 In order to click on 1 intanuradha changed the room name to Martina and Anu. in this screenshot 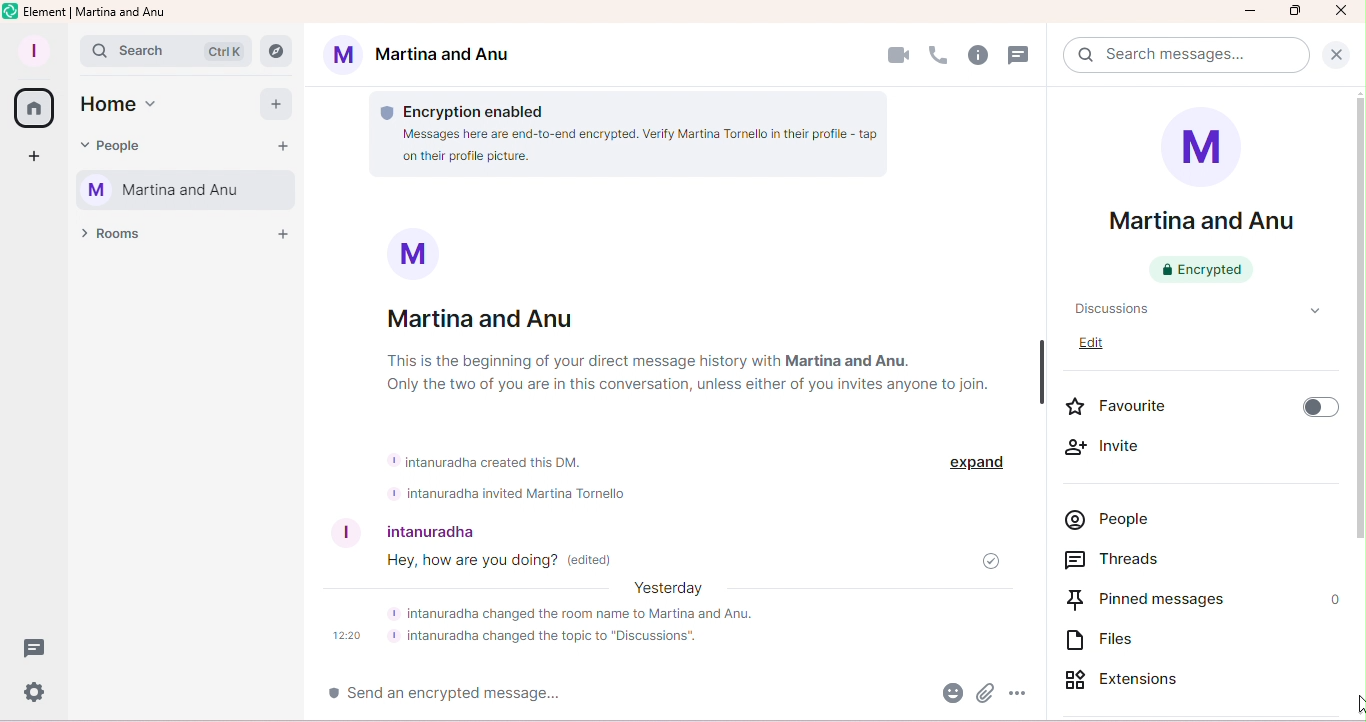, I will do `click(599, 613)`.